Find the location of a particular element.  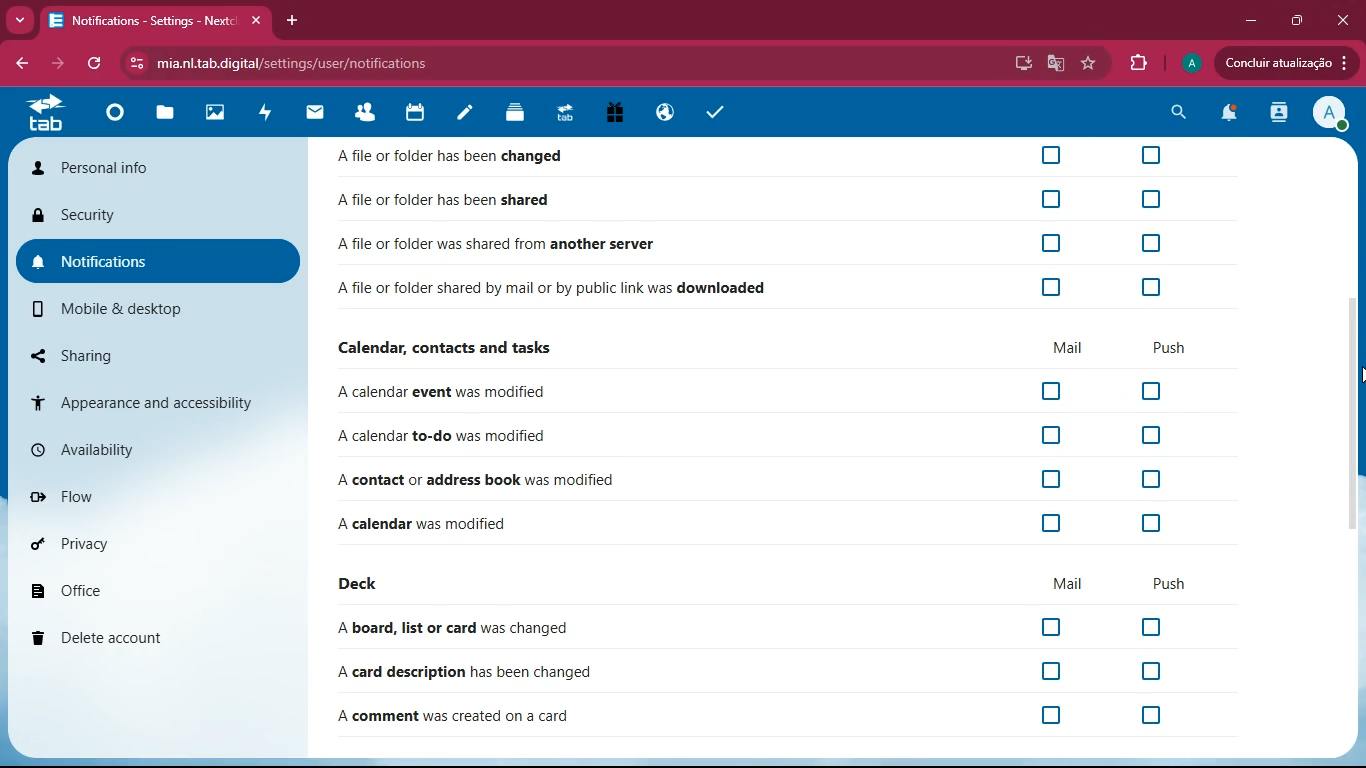

add tab is located at coordinates (289, 20).